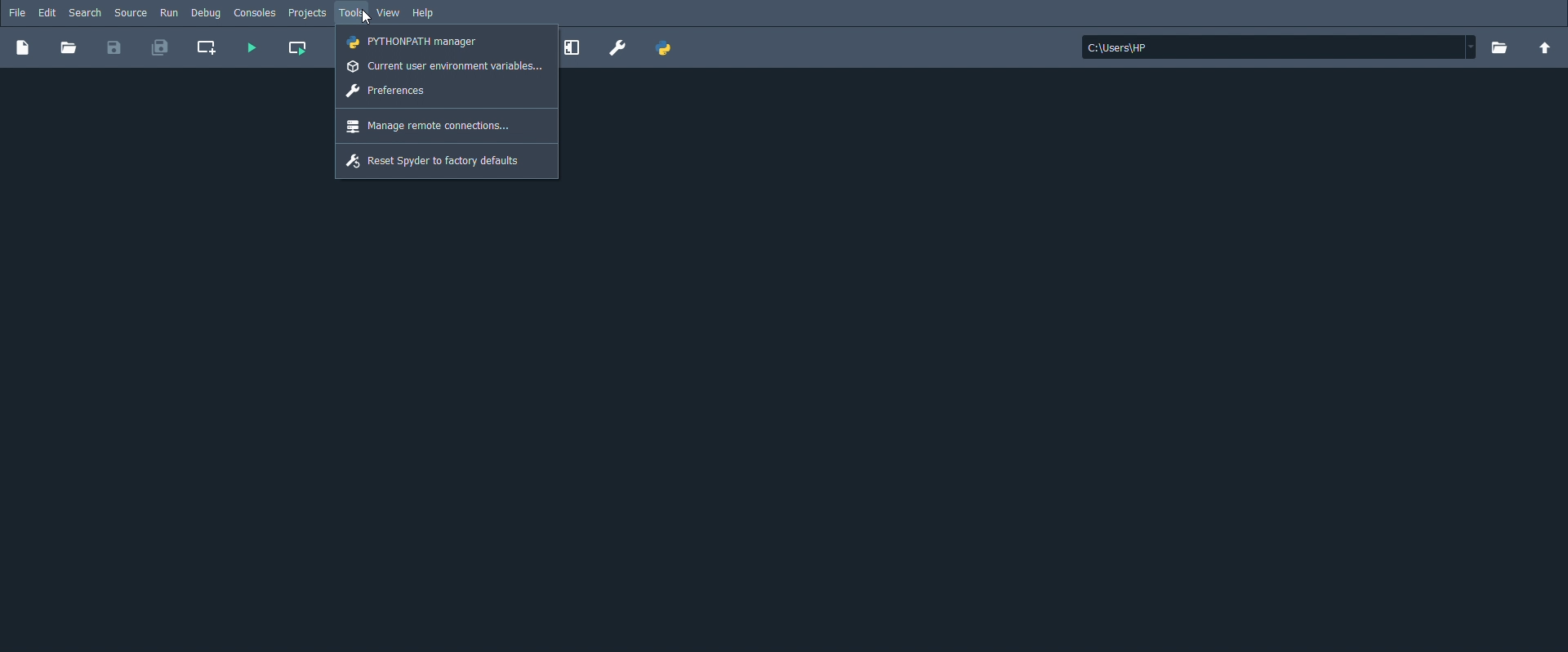 This screenshot has height=652, width=1568. What do you see at coordinates (1500, 49) in the screenshot?
I see `Browse a working directory` at bounding box center [1500, 49].